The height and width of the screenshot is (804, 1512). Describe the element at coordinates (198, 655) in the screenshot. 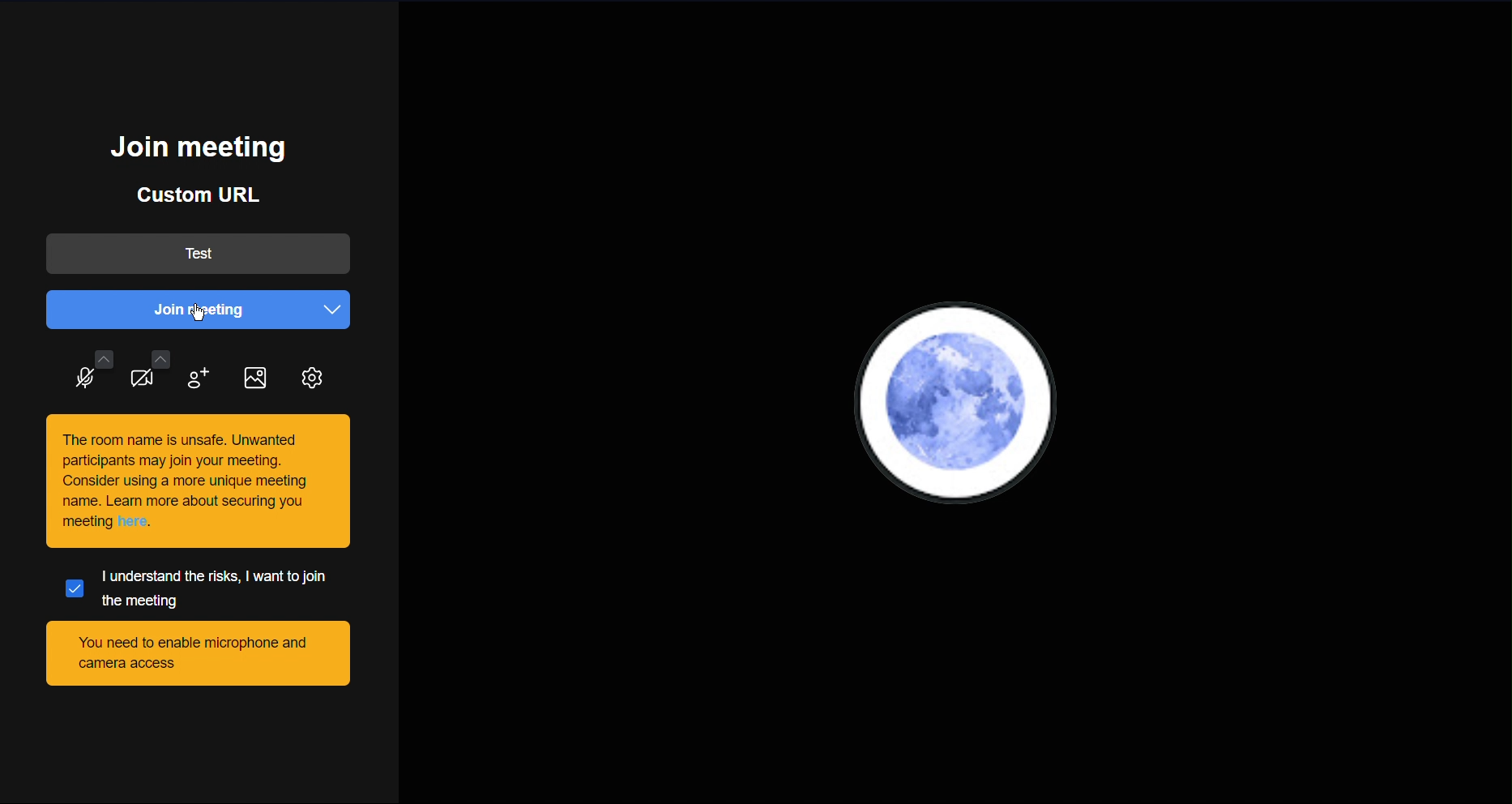

I see `You need to enable microphone and camera access` at that location.